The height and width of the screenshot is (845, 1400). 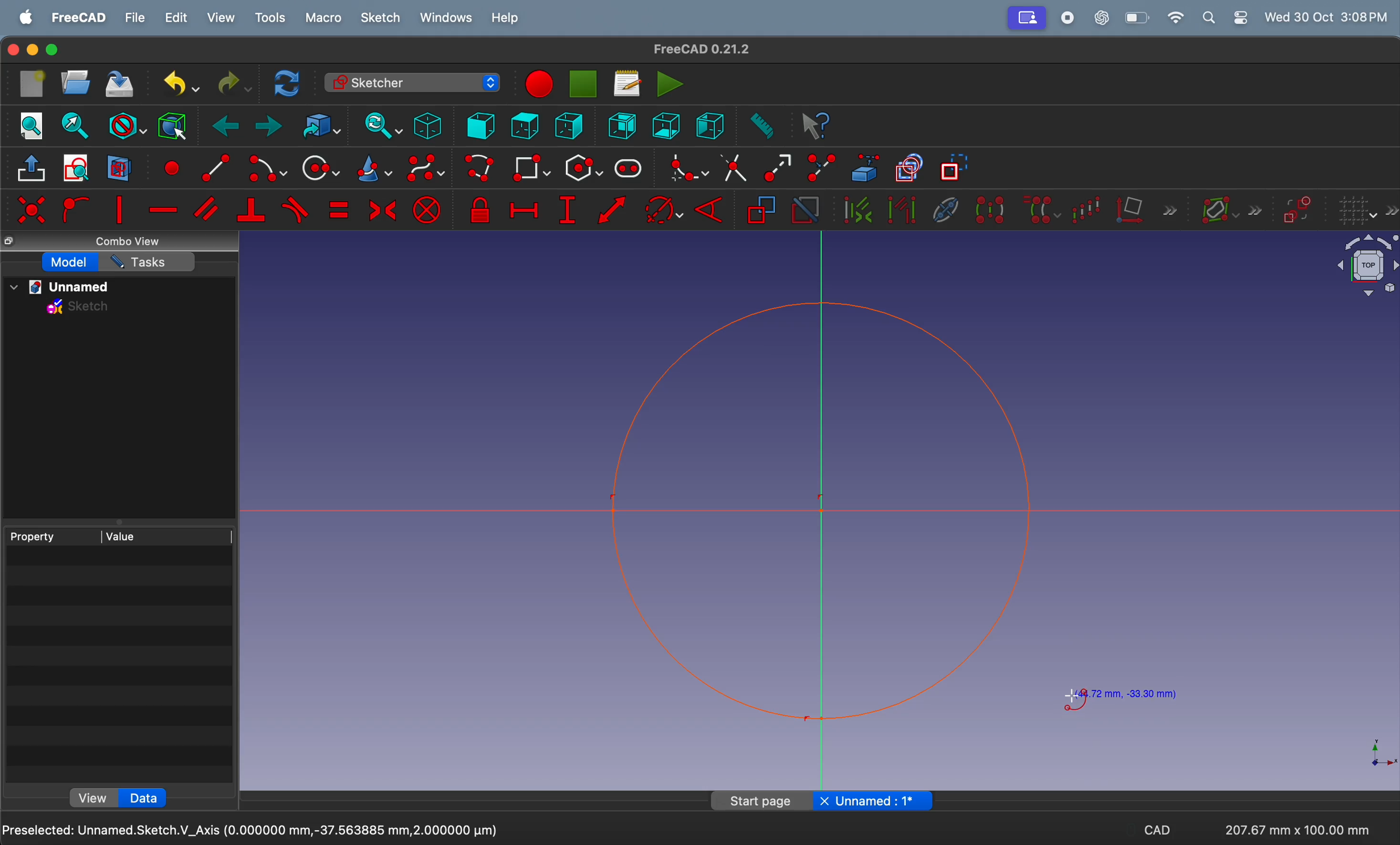 What do you see at coordinates (714, 208) in the screenshot?
I see `constraint angle` at bounding box center [714, 208].